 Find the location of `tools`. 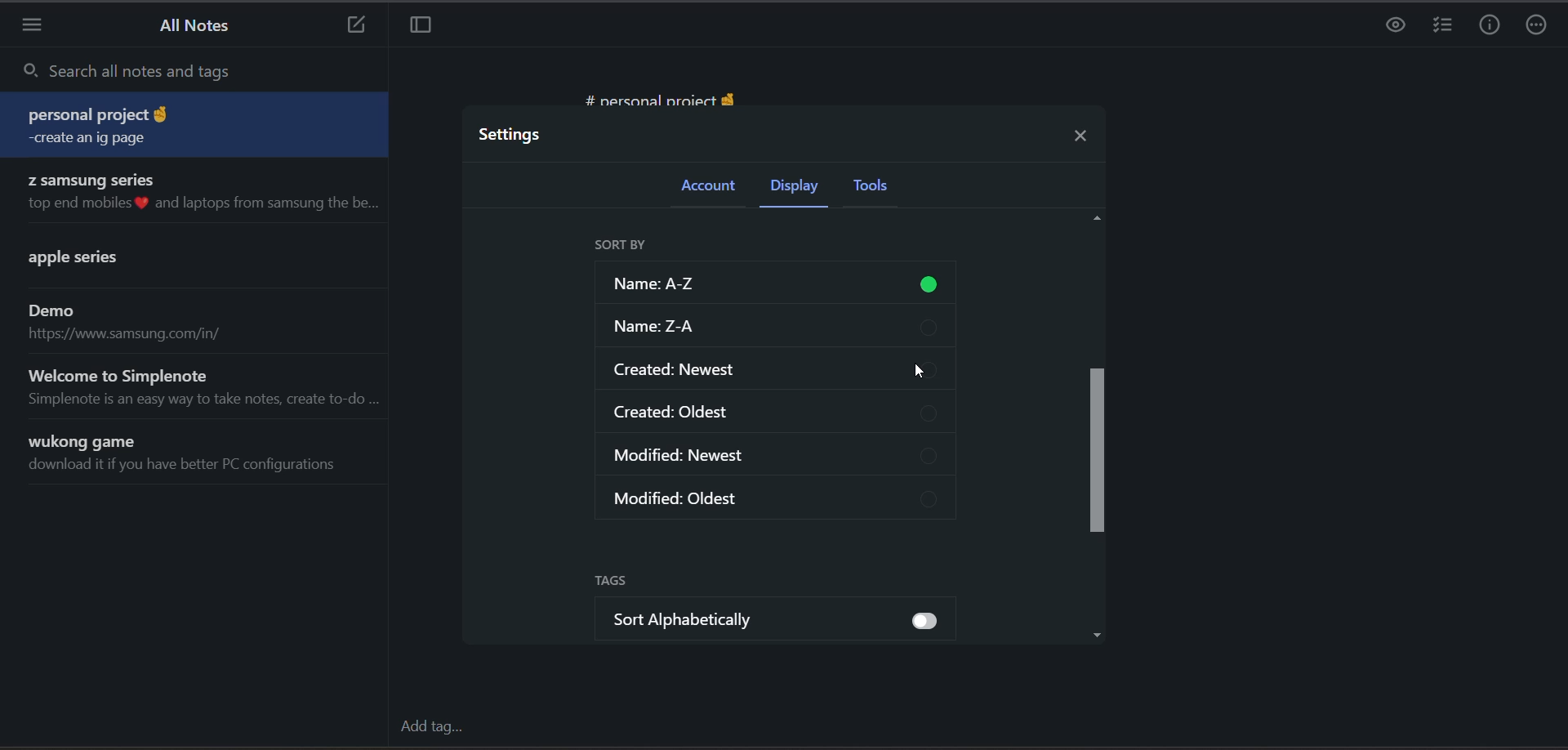

tools is located at coordinates (891, 191).